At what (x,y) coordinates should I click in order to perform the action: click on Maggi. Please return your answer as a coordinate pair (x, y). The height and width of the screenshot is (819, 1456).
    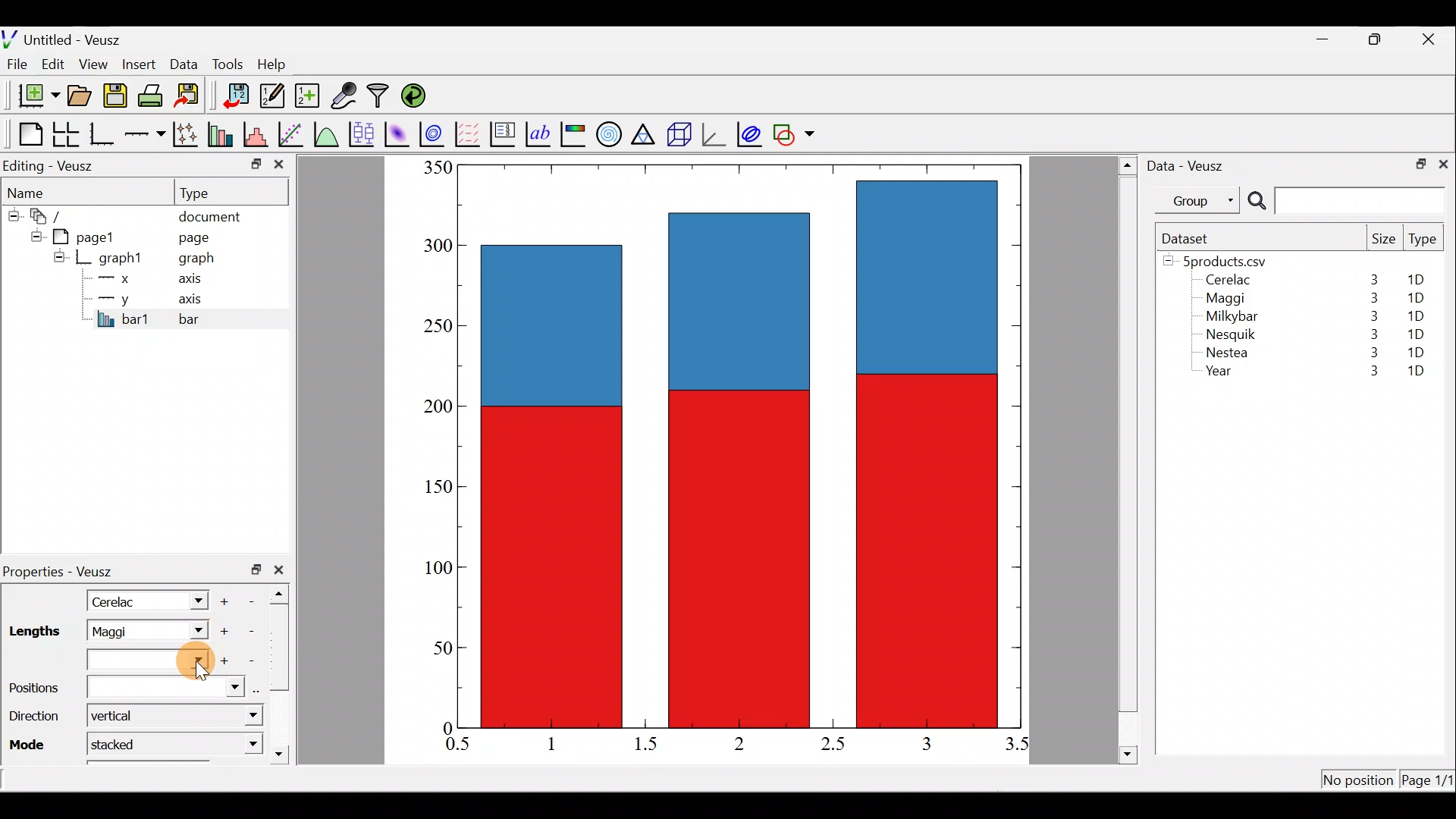
    Looking at the image, I should click on (1227, 300).